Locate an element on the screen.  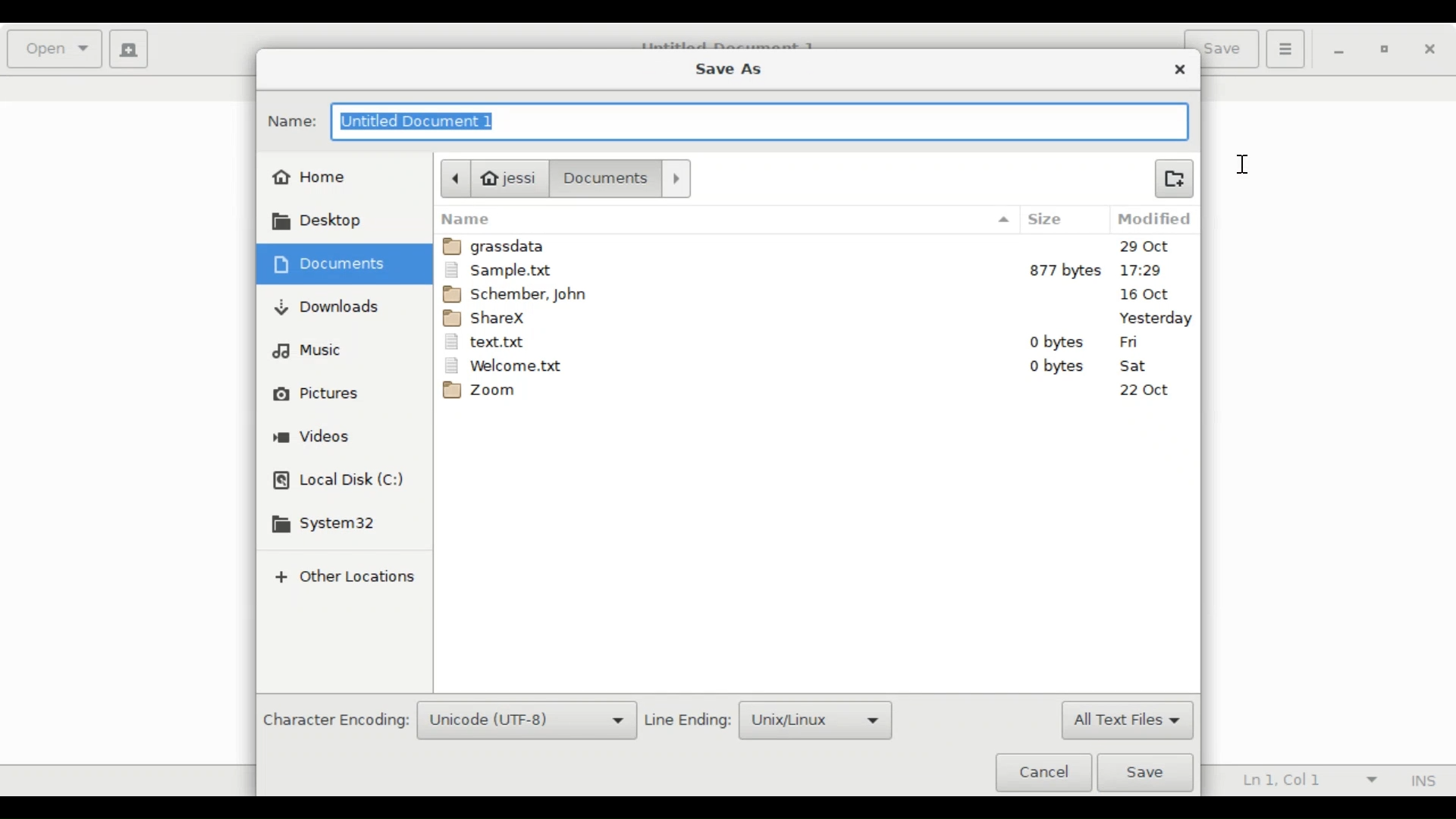
Unix/Linux is located at coordinates (817, 720).